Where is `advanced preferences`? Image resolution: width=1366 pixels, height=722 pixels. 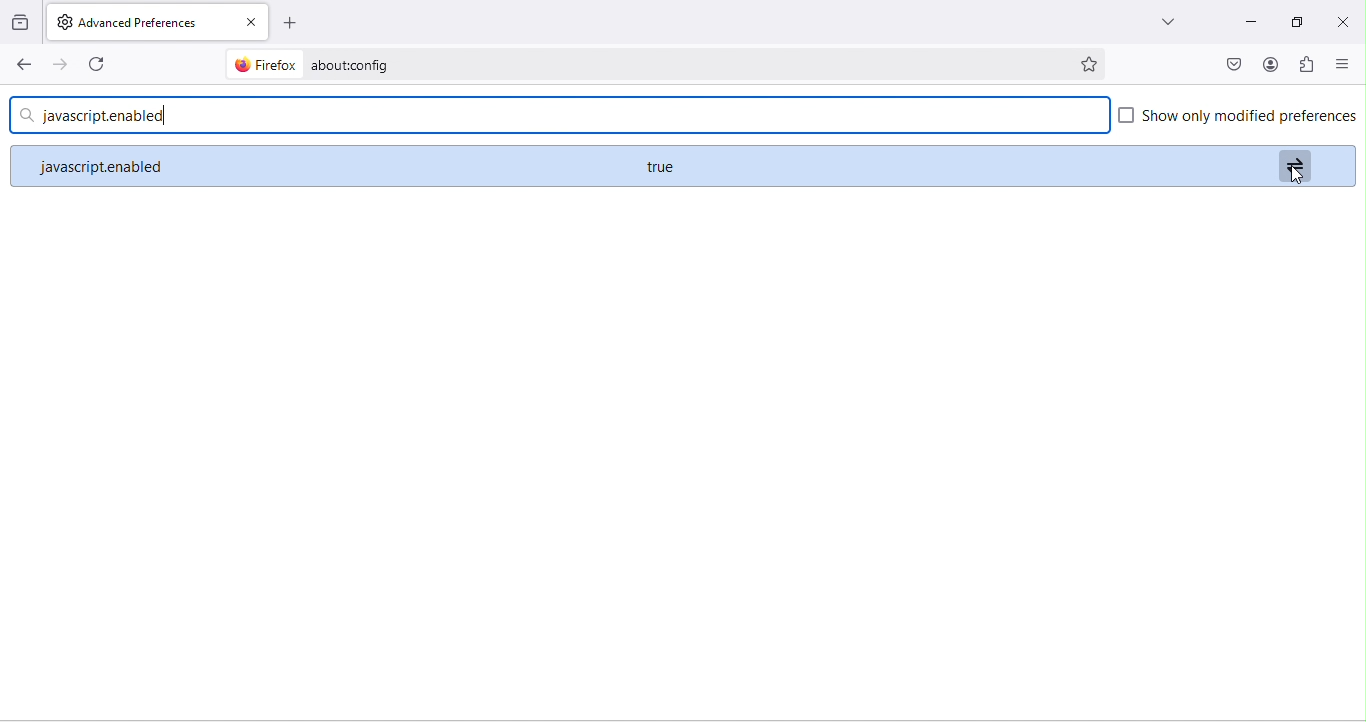 advanced preferences is located at coordinates (135, 23).